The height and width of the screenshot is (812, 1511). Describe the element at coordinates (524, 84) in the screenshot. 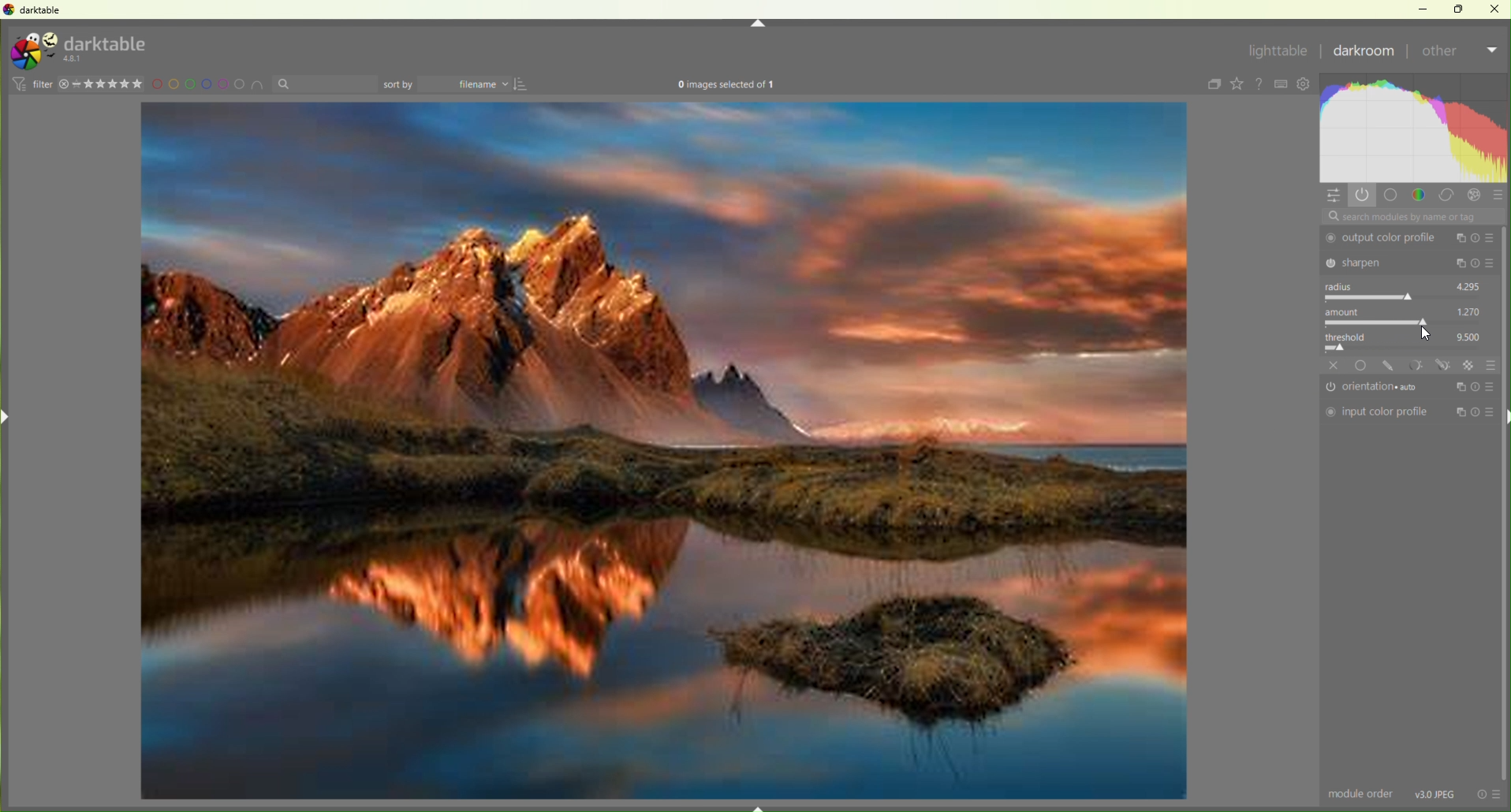

I see `sort` at that location.